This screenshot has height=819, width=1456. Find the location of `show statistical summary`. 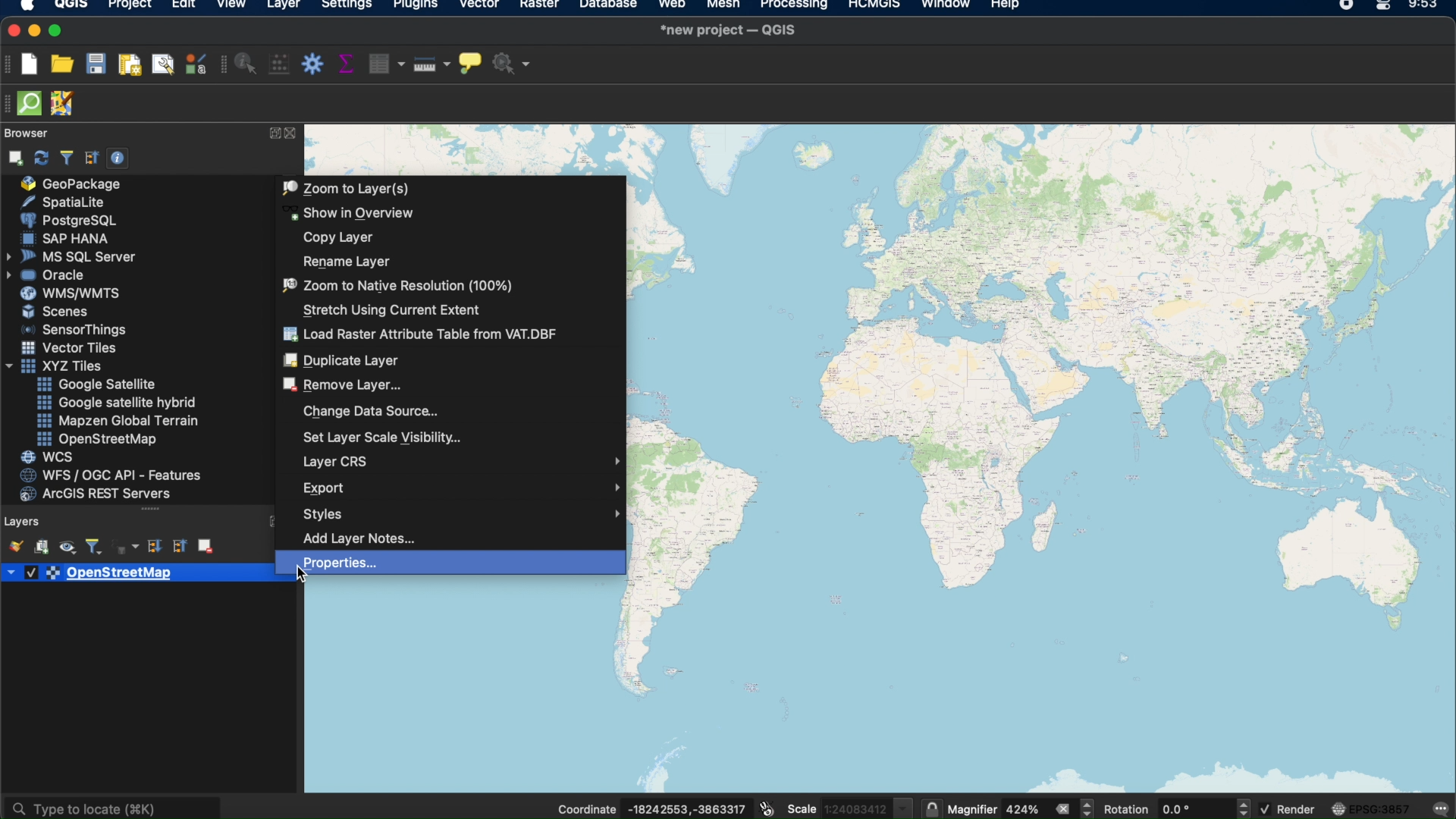

show statistical summary is located at coordinates (347, 64).